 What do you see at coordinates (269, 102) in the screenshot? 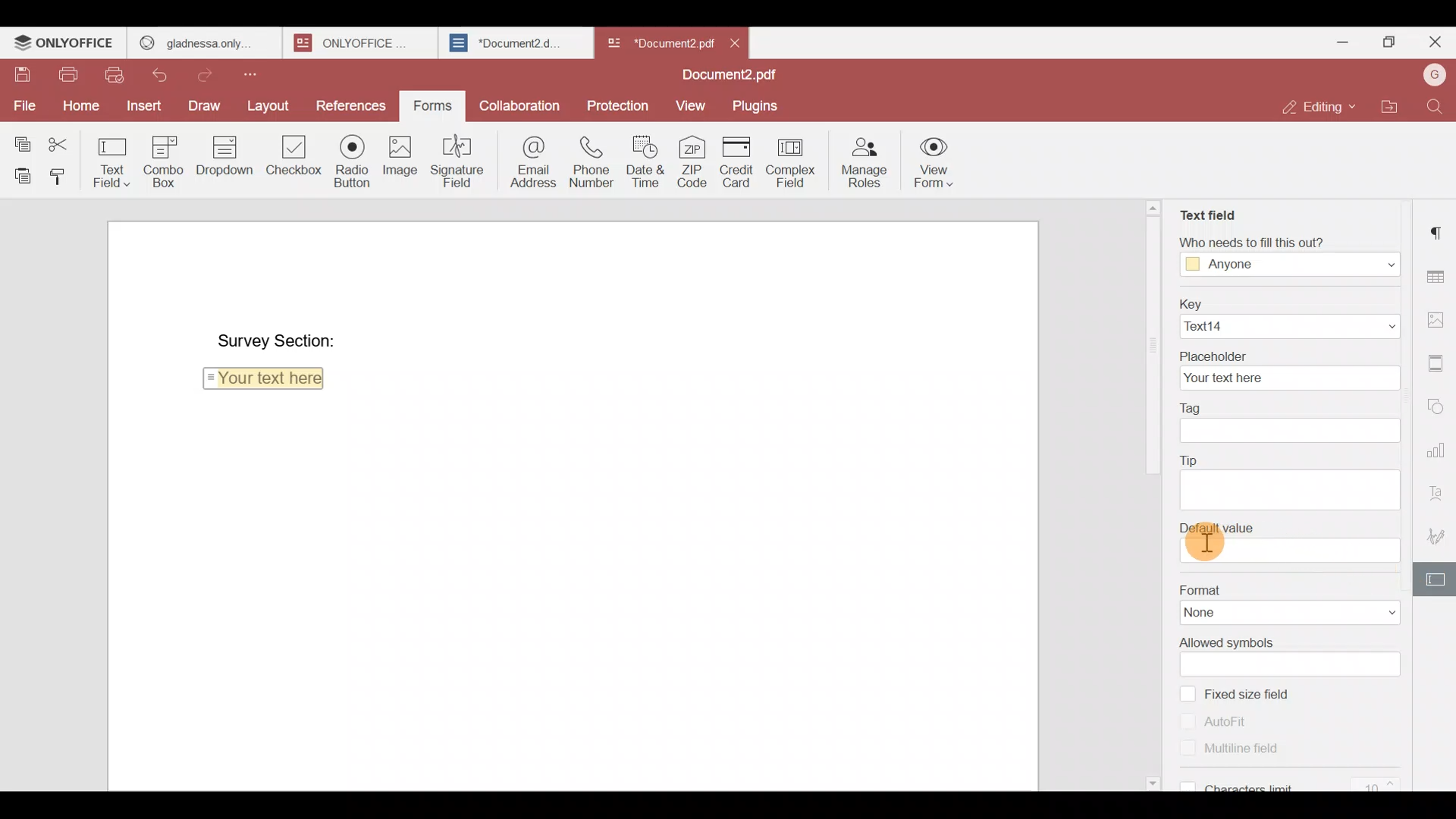
I see `Layout` at bounding box center [269, 102].